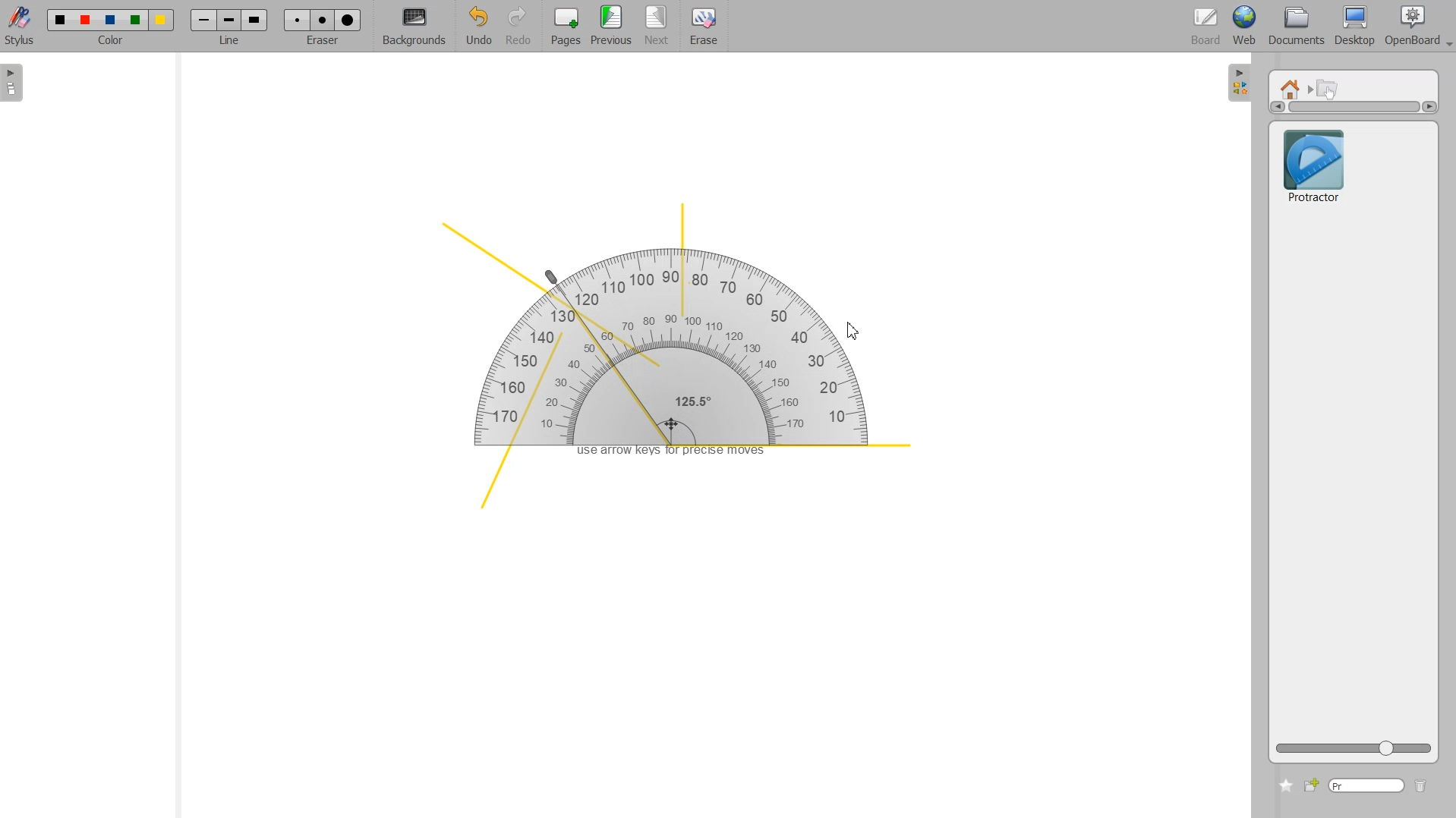 This screenshot has height=818, width=1456. Describe the element at coordinates (674, 344) in the screenshot. I see `Protractor` at that location.